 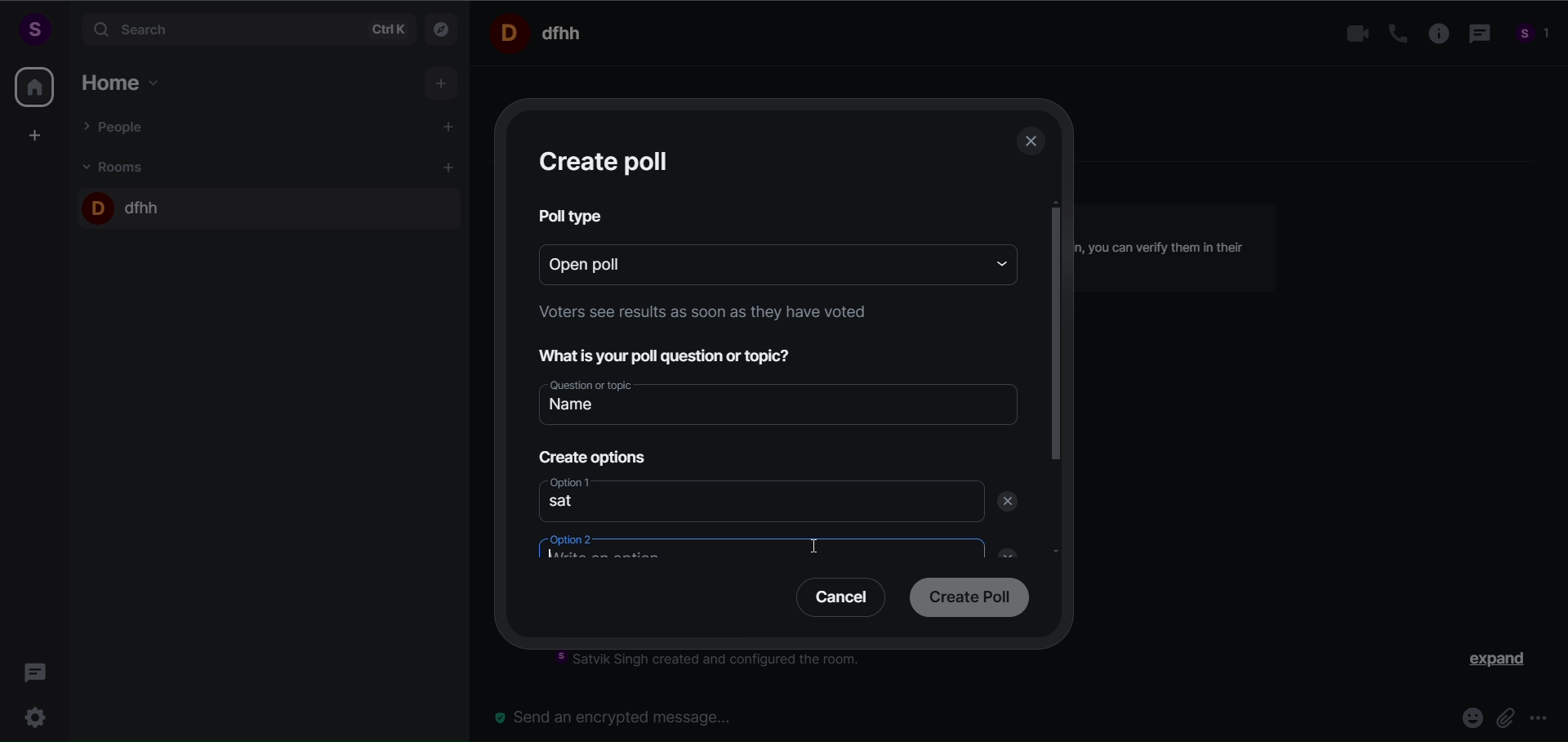 I want to click on option 2, so click(x=747, y=551).